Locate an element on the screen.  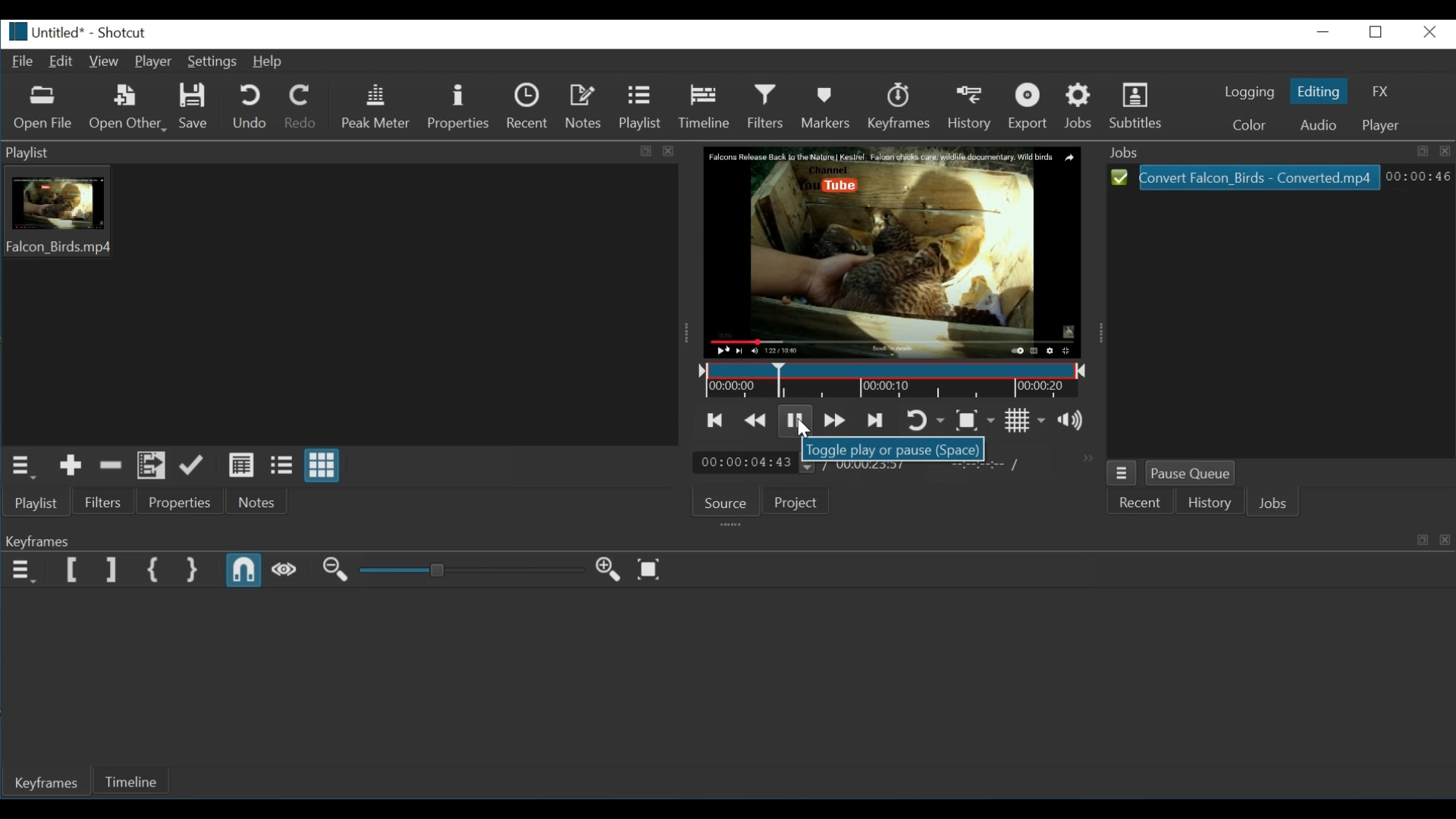
Redo is located at coordinates (303, 107).